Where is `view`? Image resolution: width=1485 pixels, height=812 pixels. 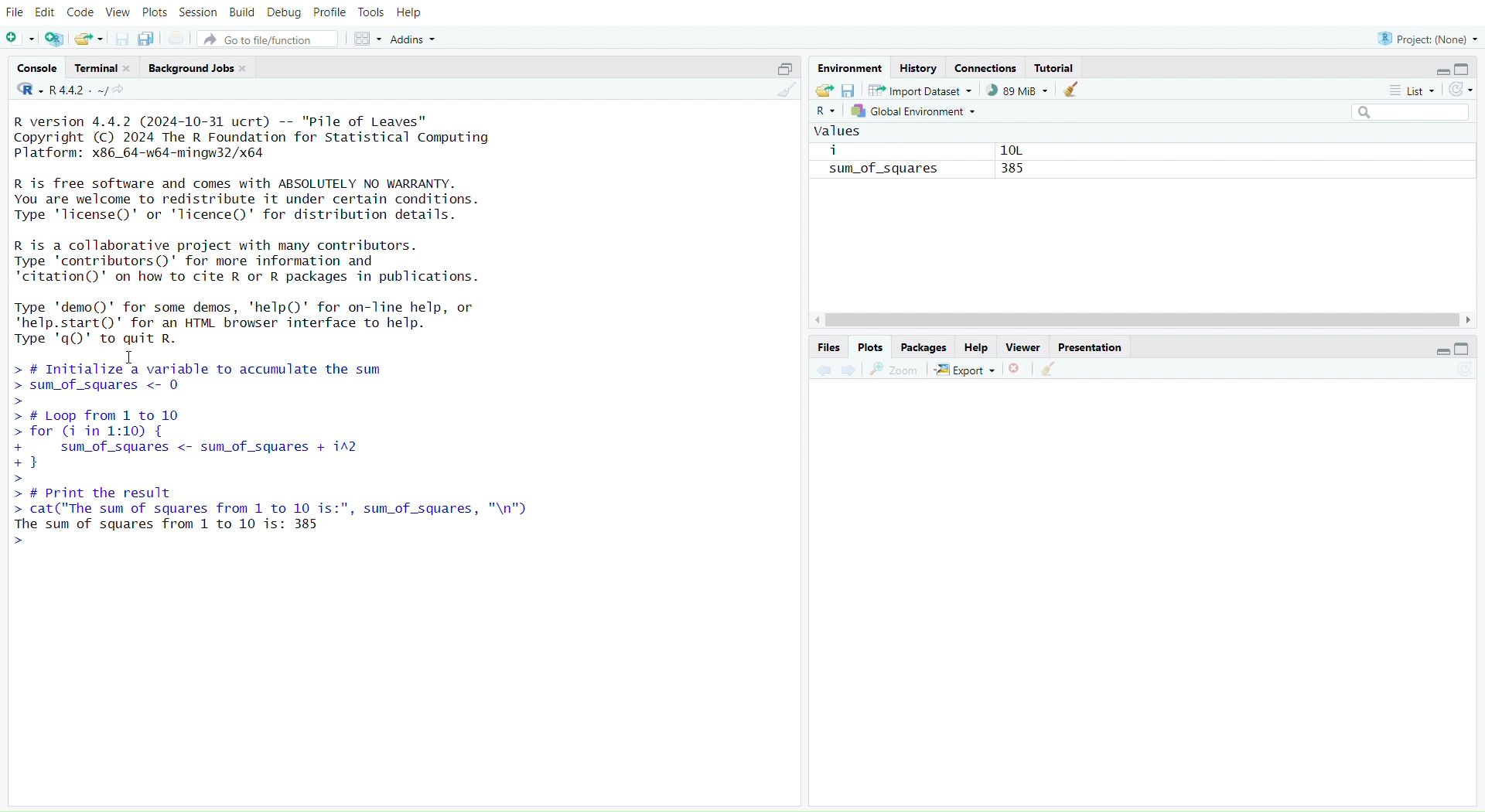 view is located at coordinates (117, 12).